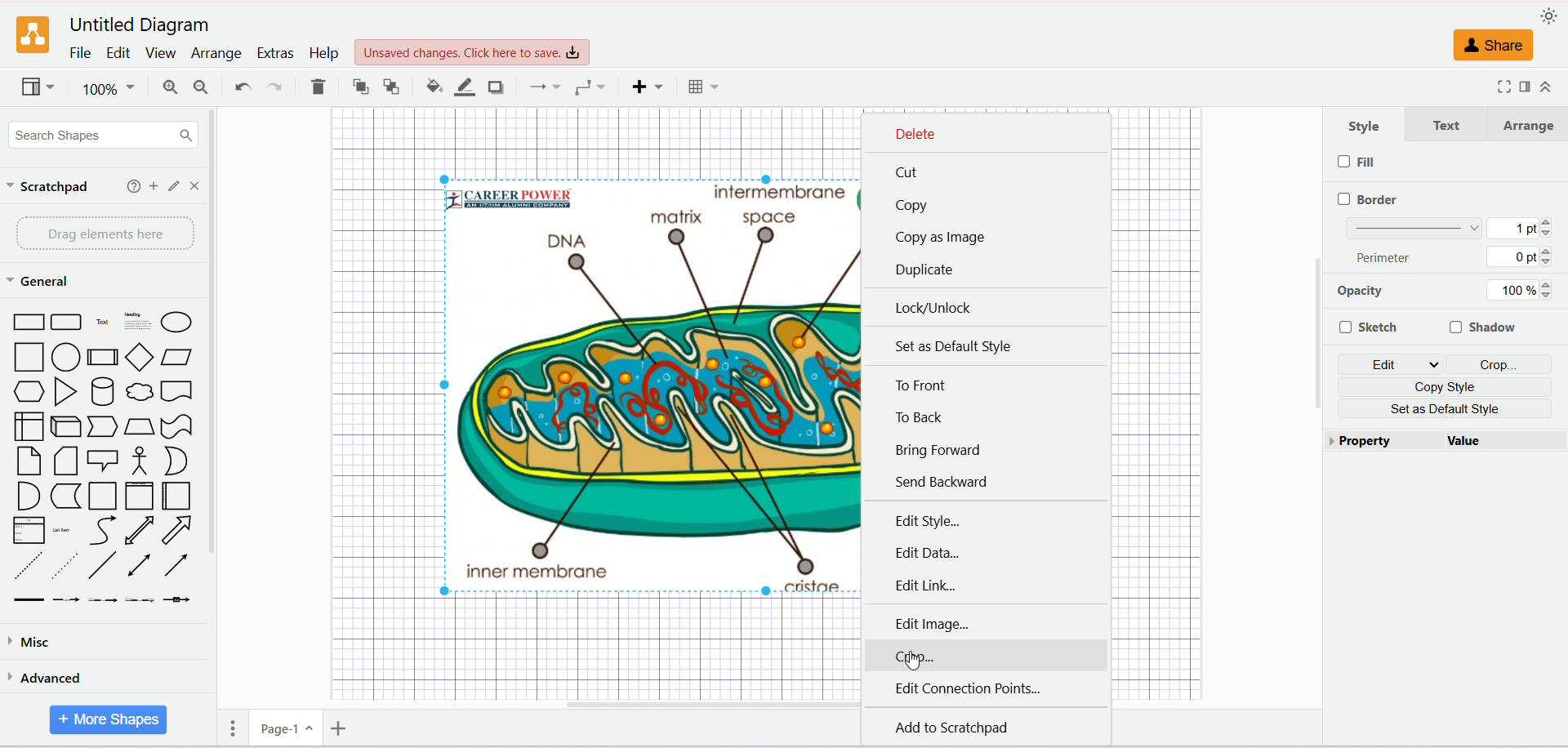 The image size is (1568, 748). Describe the element at coordinates (115, 51) in the screenshot. I see `edit` at that location.